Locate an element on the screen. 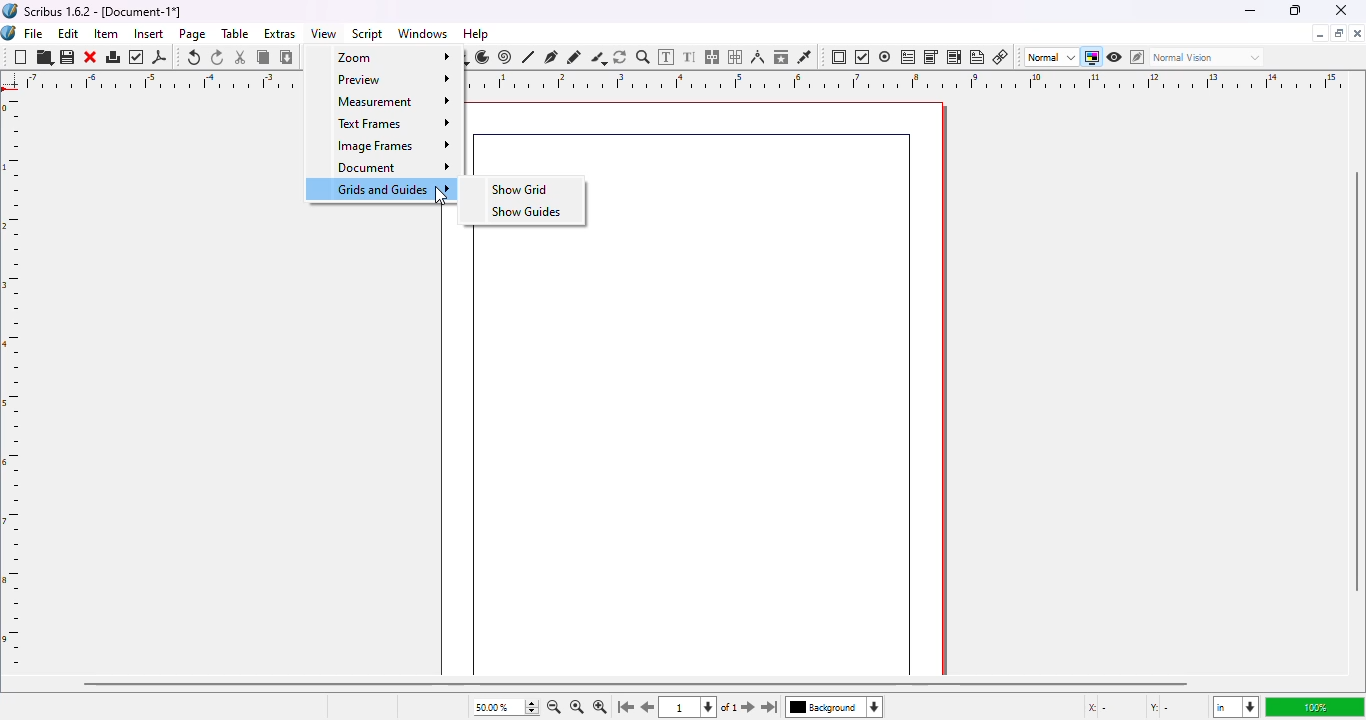 The width and height of the screenshot is (1366, 720). page is located at coordinates (194, 34).